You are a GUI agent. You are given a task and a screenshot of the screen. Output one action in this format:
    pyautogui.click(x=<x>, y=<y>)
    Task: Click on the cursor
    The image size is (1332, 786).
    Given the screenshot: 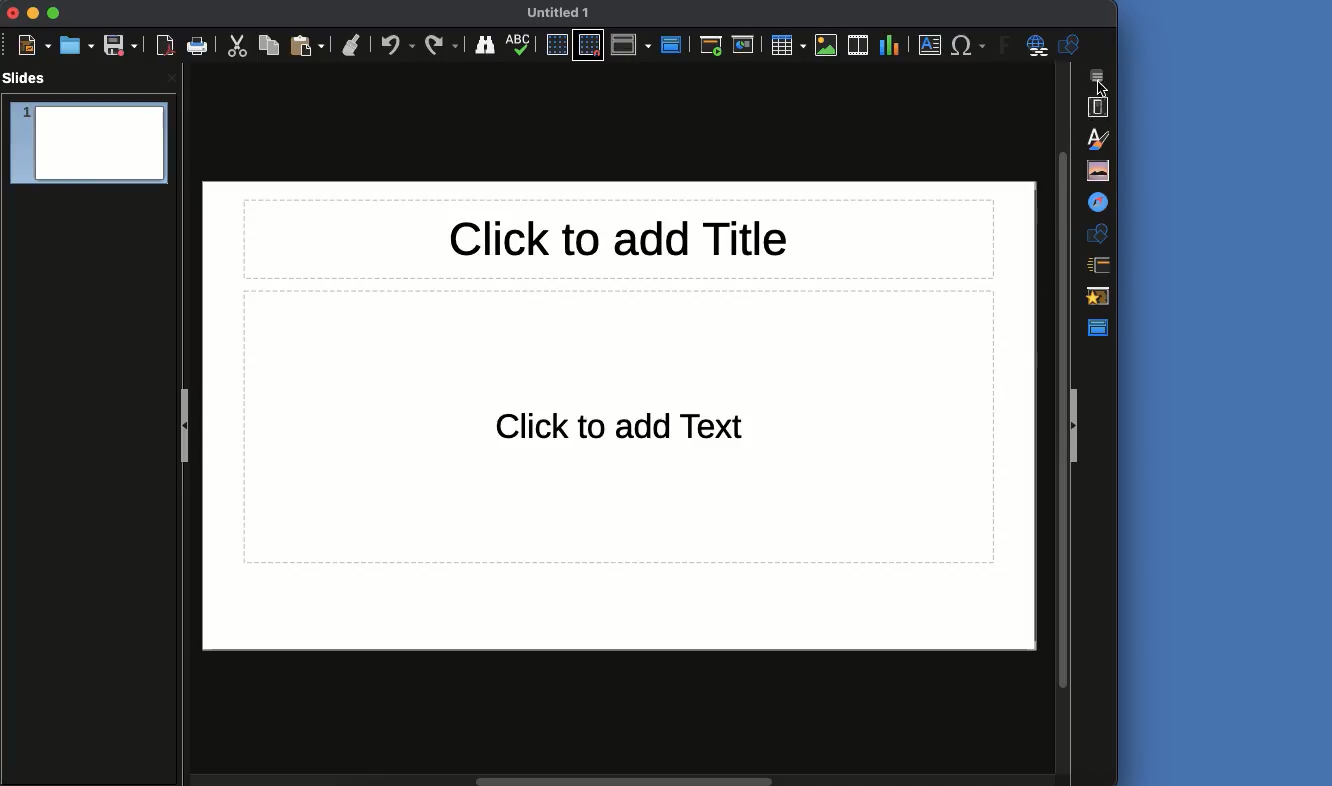 What is the action you would take?
    pyautogui.click(x=1108, y=89)
    